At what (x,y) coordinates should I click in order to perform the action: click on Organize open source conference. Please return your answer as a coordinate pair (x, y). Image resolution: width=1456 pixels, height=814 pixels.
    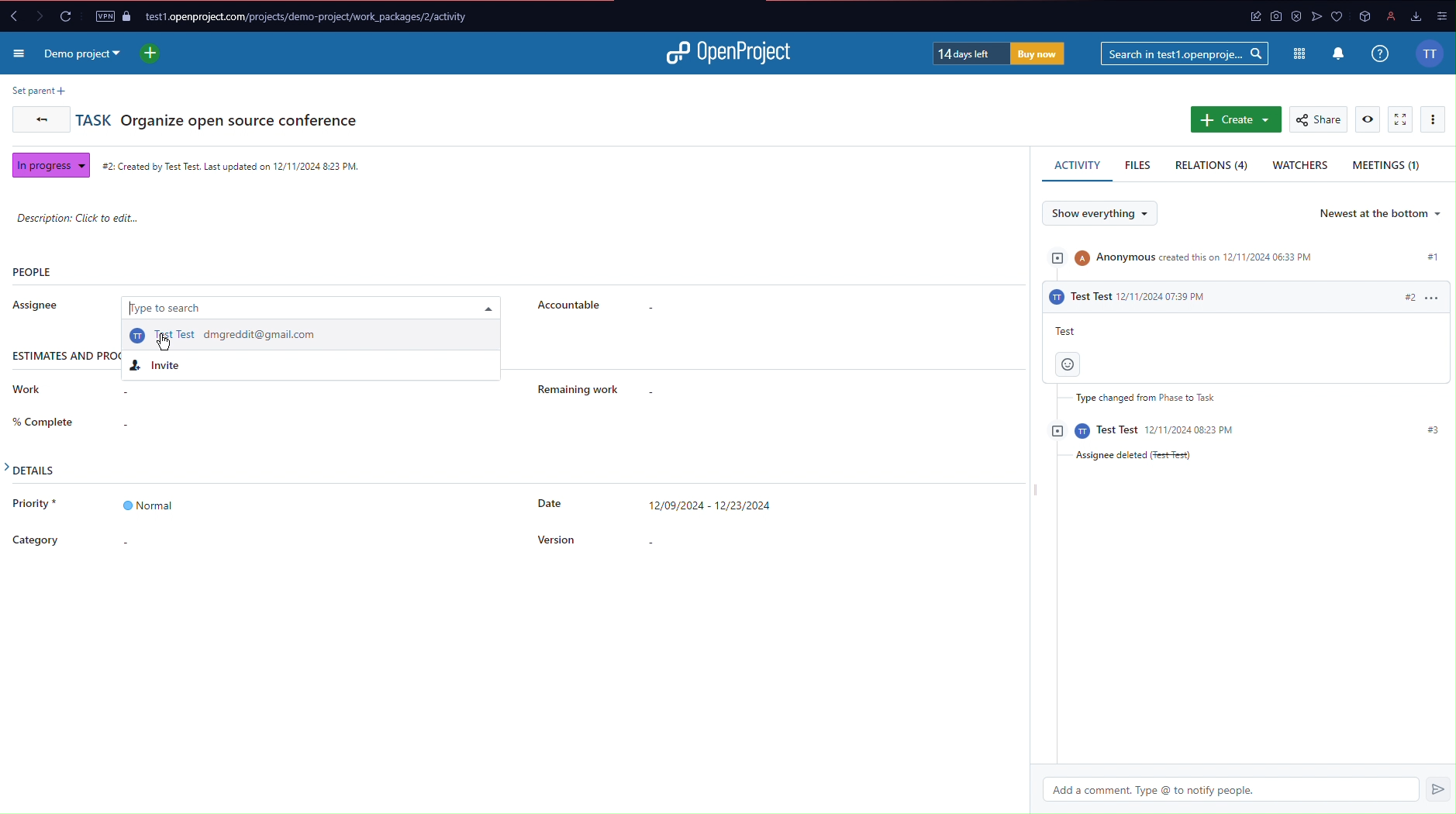
    Looking at the image, I should click on (241, 119).